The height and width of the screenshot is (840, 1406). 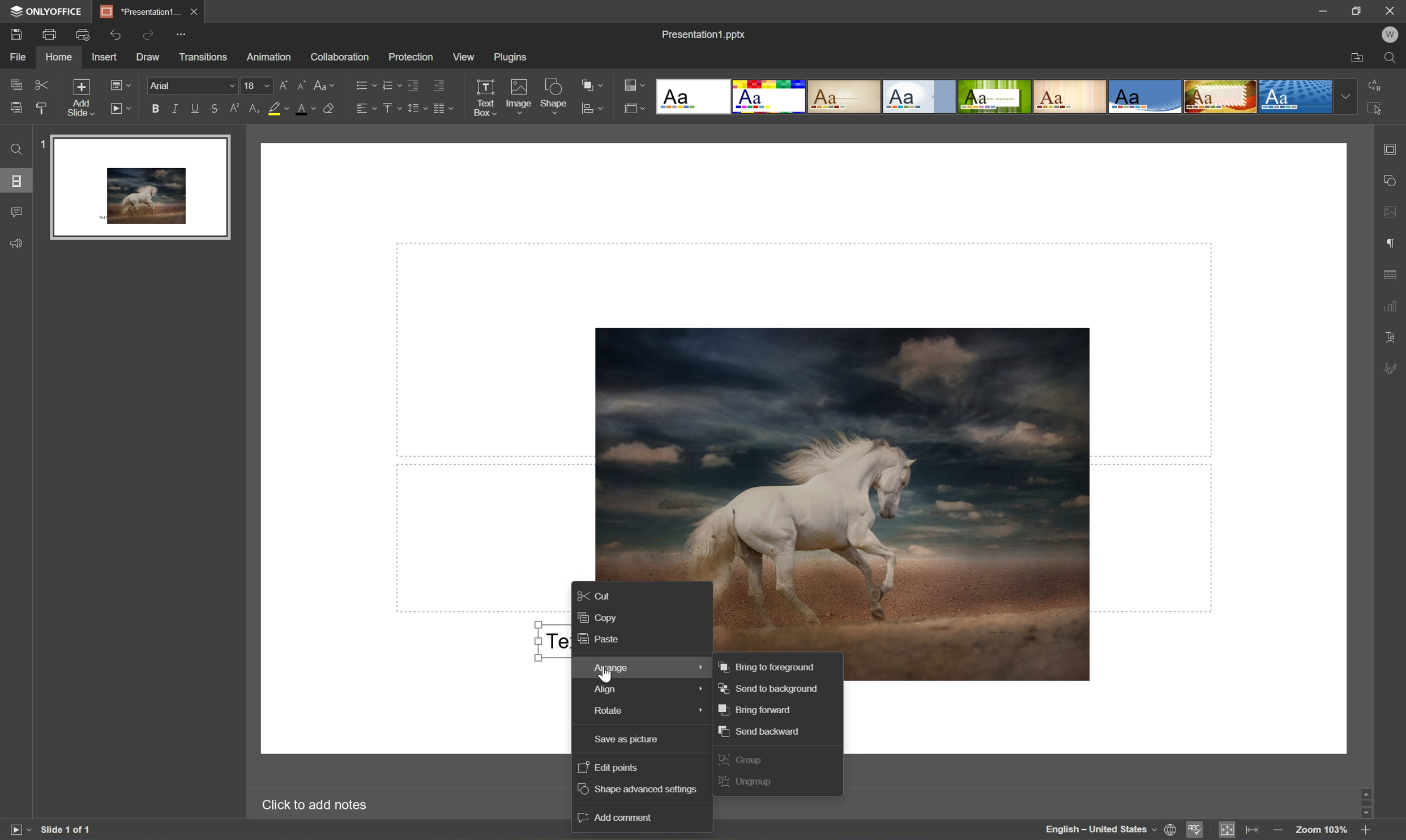 What do you see at coordinates (1391, 58) in the screenshot?
I see `Find` at bounding box center [1391, 58].